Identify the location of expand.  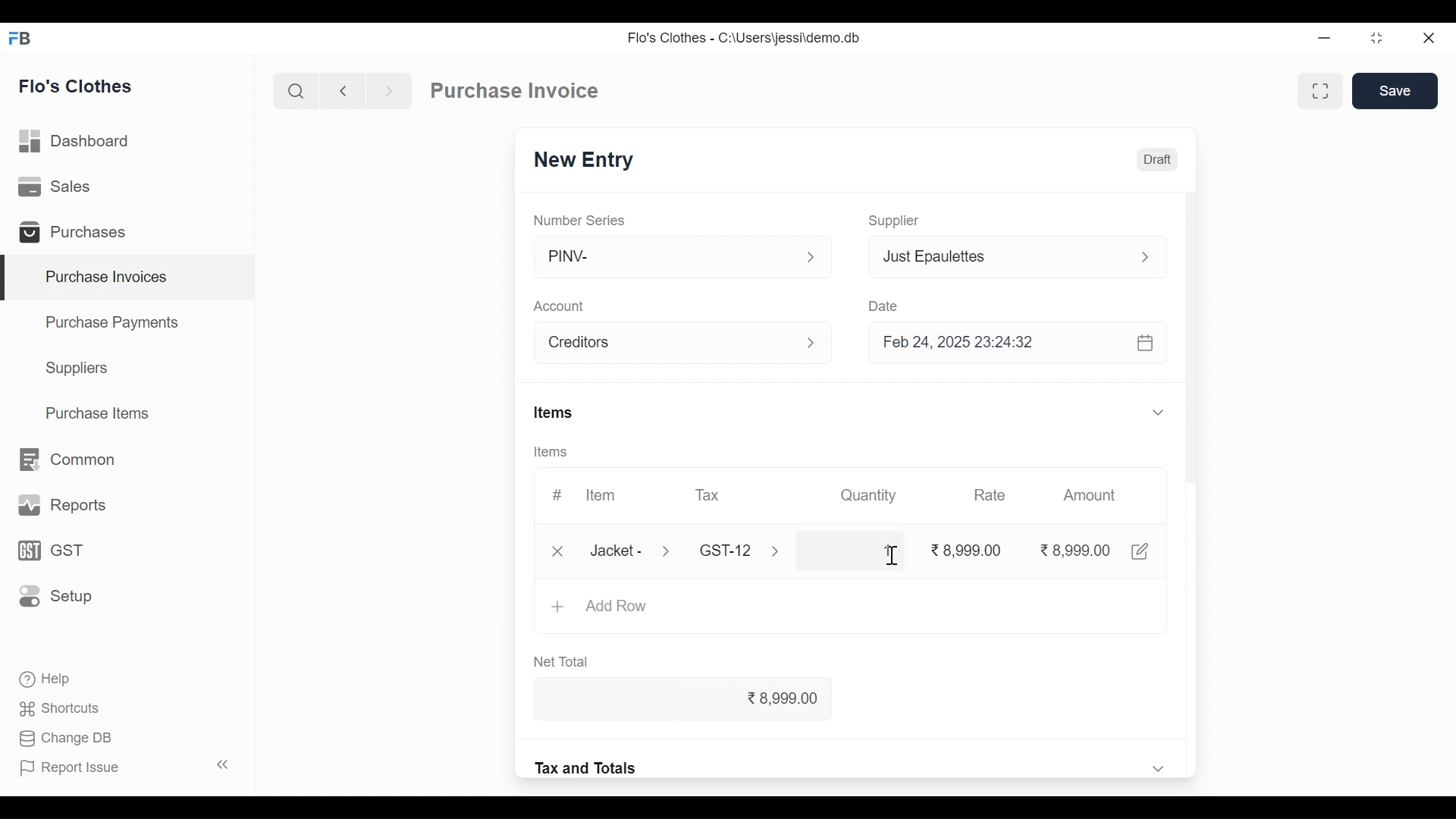
(811, 257).